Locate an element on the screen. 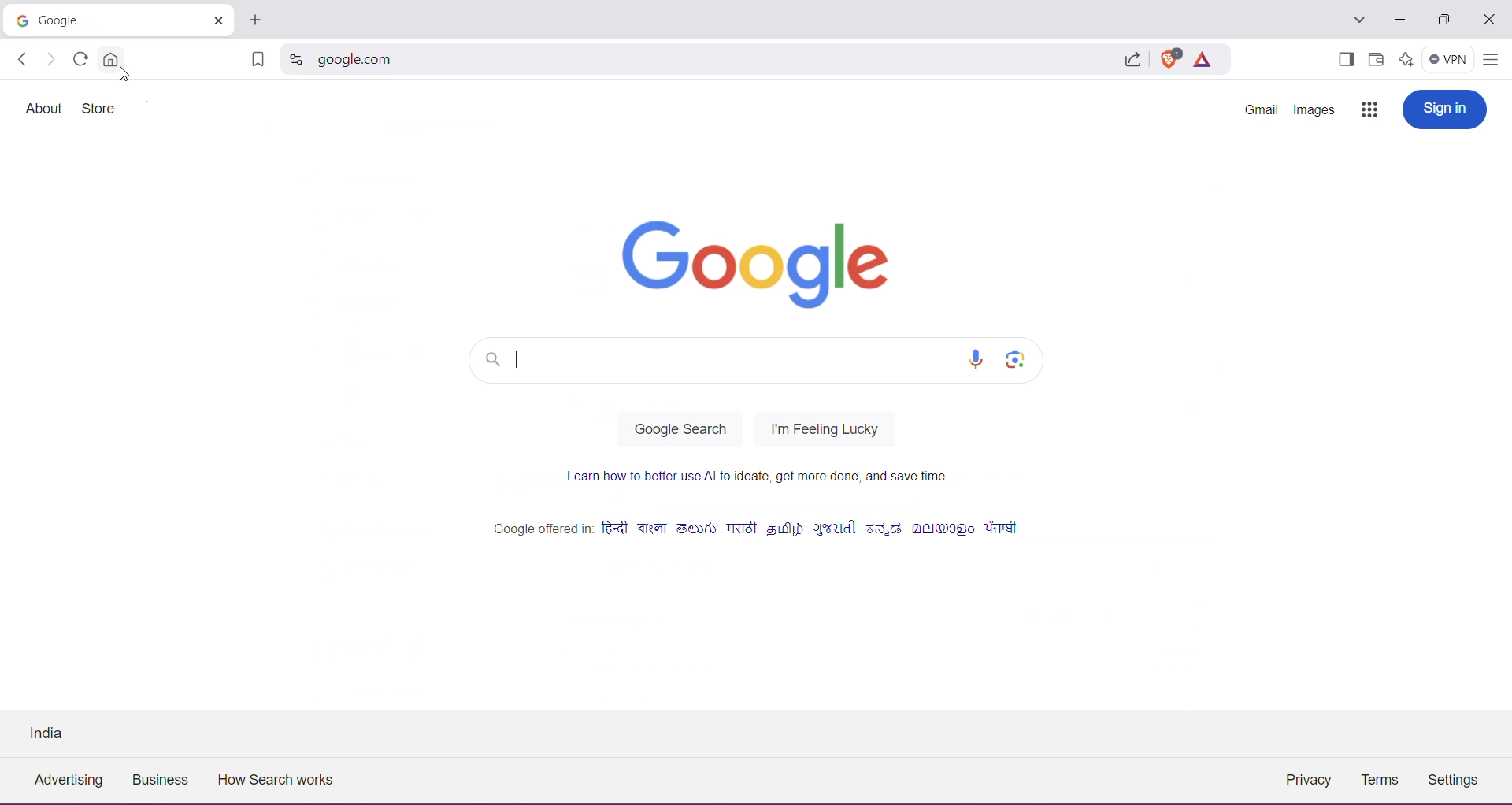 This screenshot has height=805, width=1512. Sign In is located at coordinates (1443, 109).